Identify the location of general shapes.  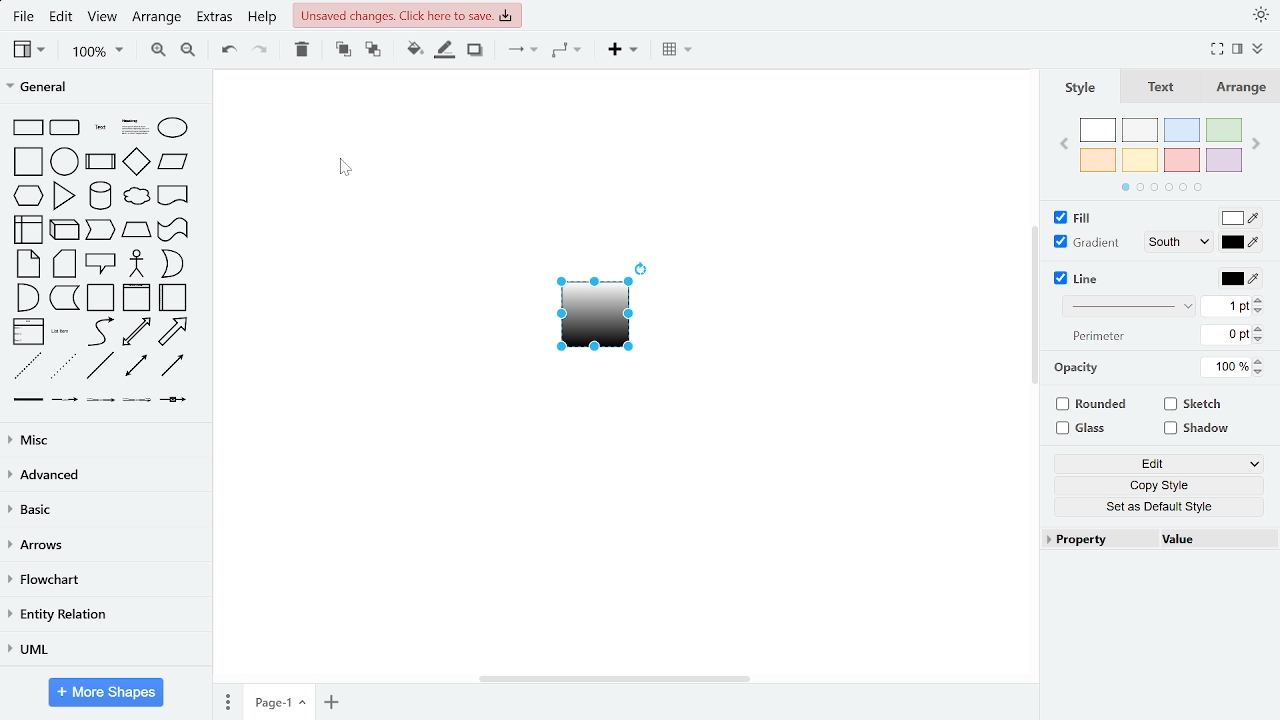
(136, 298).